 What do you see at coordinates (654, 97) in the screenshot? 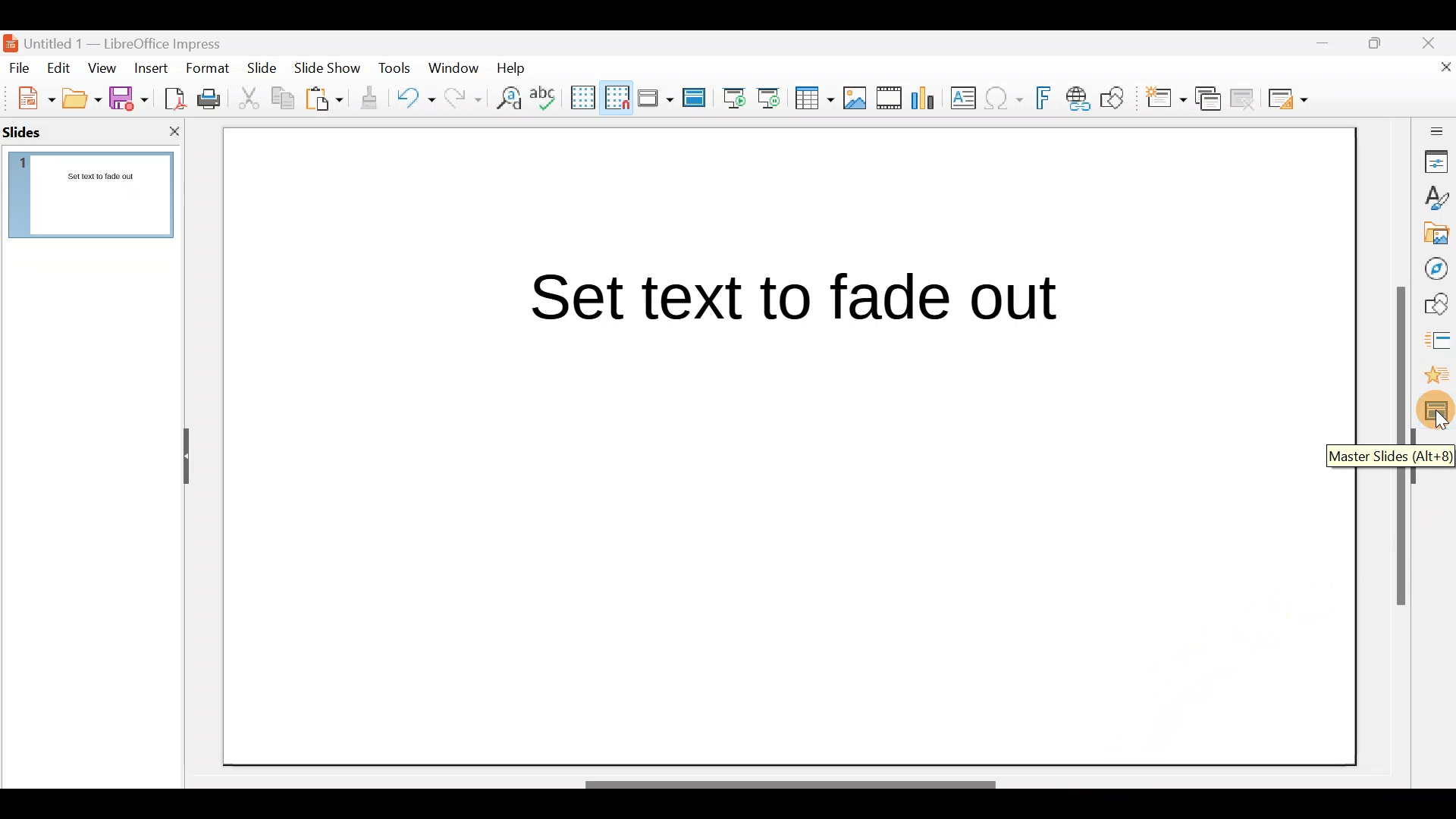
I see `Display views` at bounding box center [654, 97].